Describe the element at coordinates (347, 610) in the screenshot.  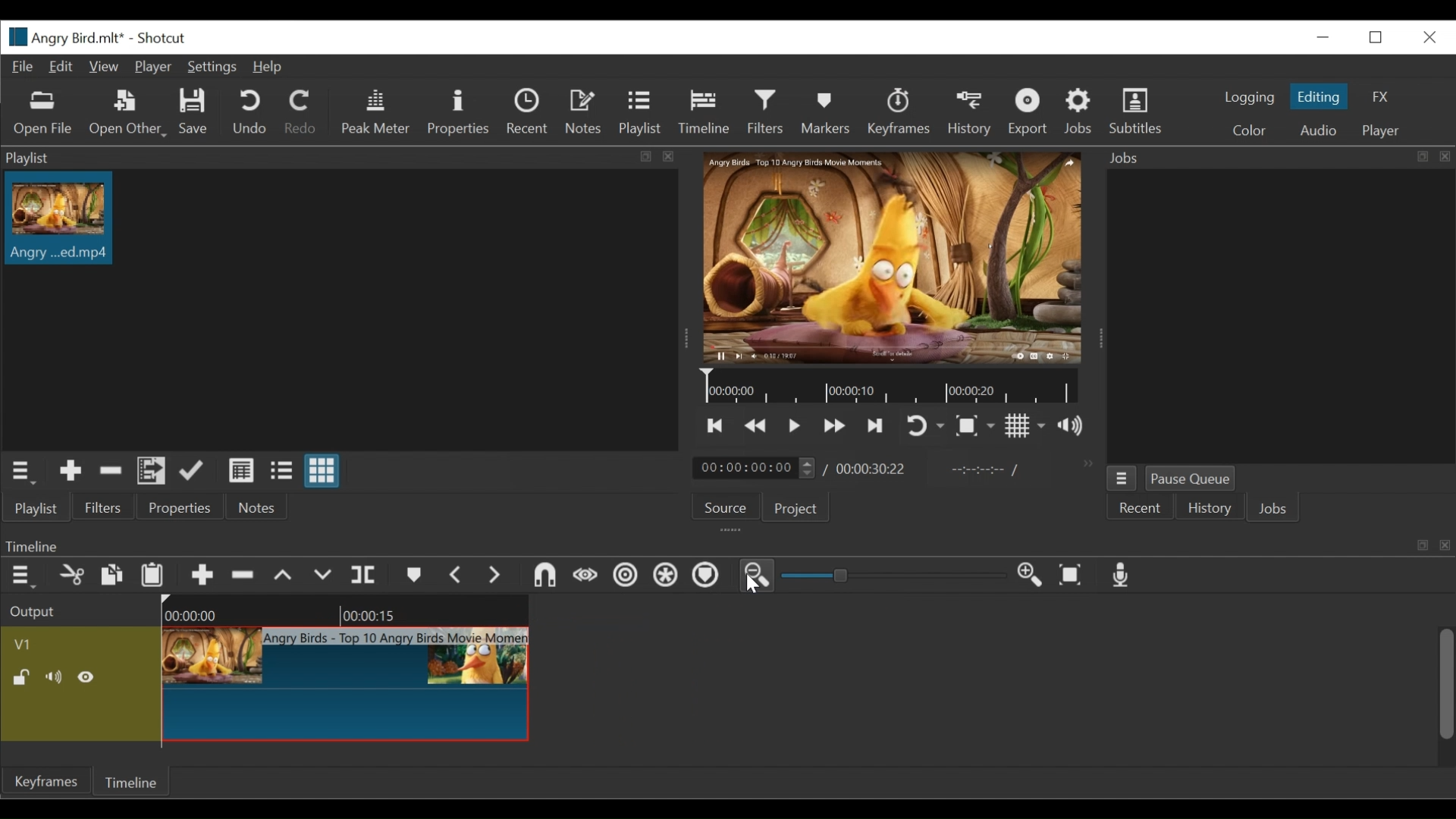
I see `Timeline` at that location.